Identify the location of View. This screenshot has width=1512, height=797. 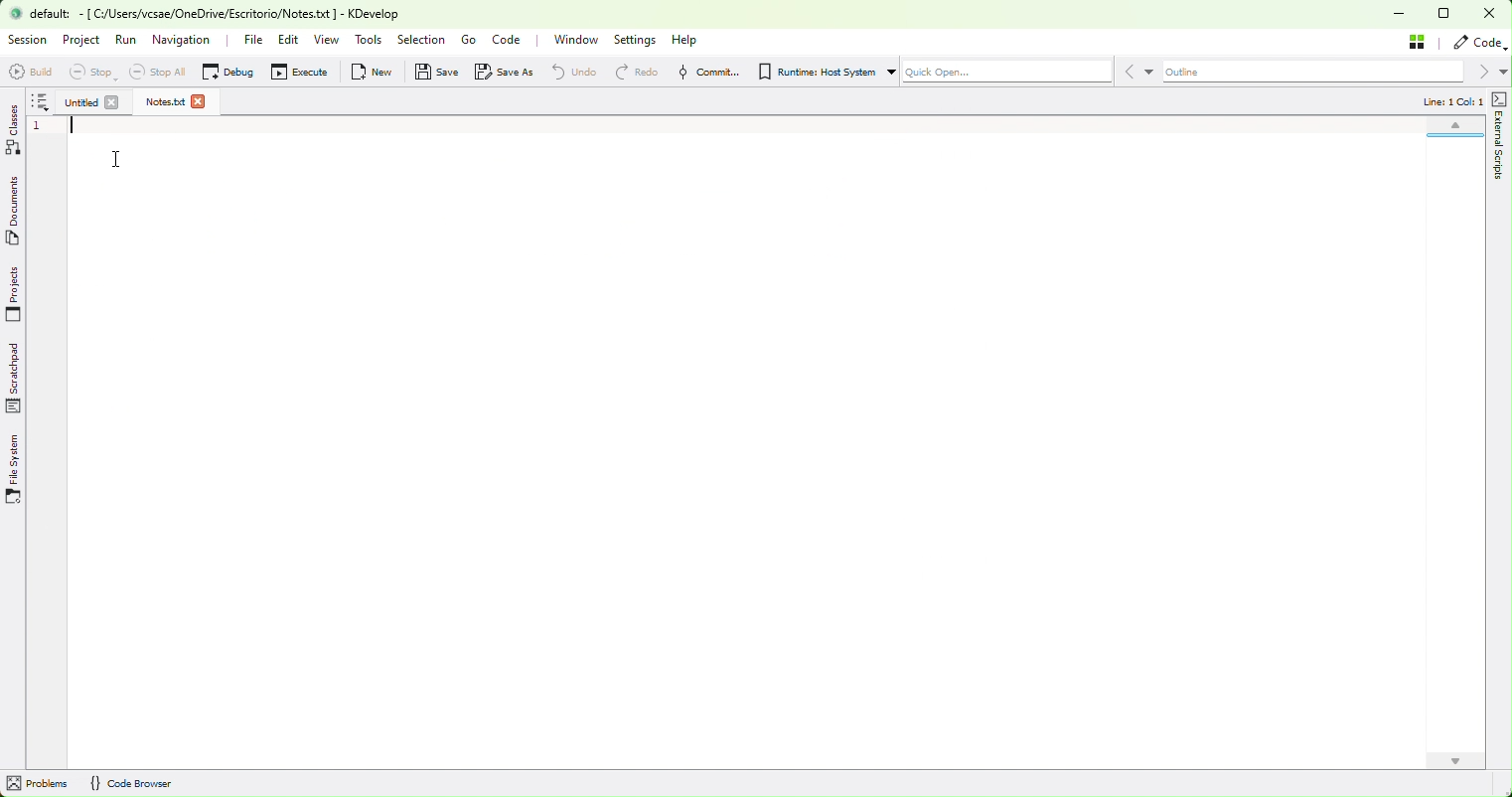
(330, 42).